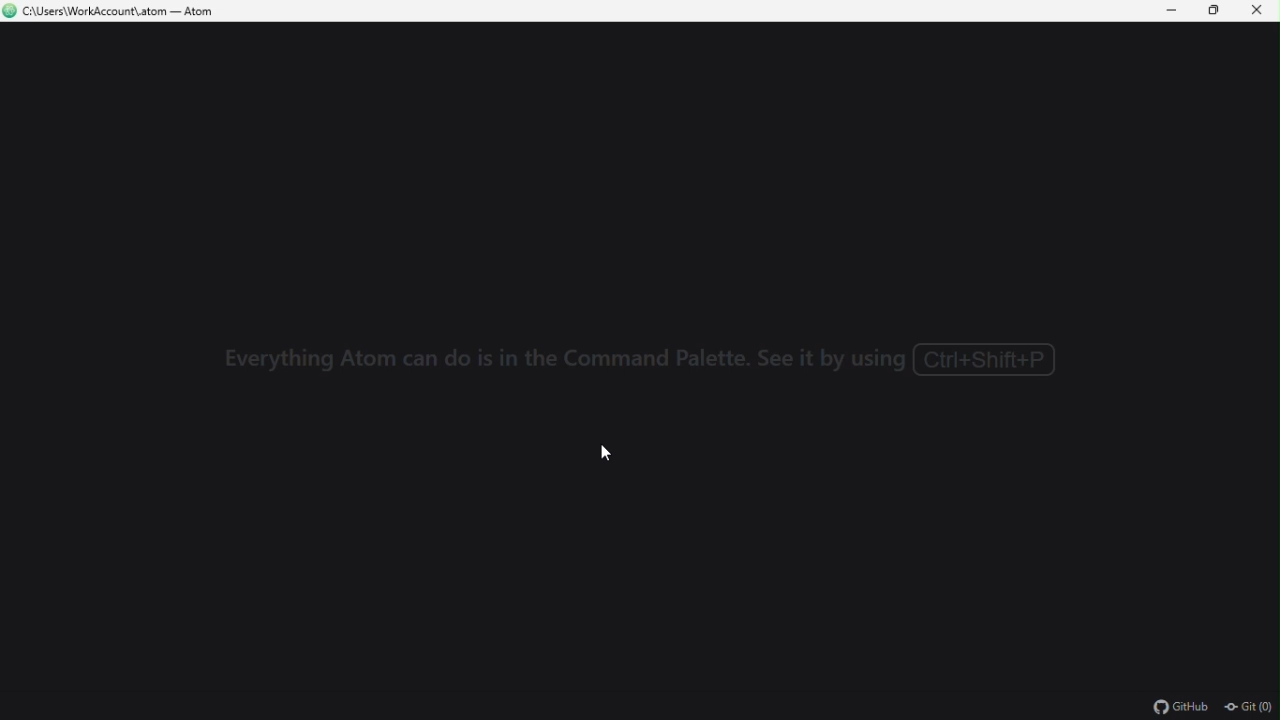  What do you see at coordinates (1175, 706) in the screenshot?
I see `github` at bounding box center [1175, 706].